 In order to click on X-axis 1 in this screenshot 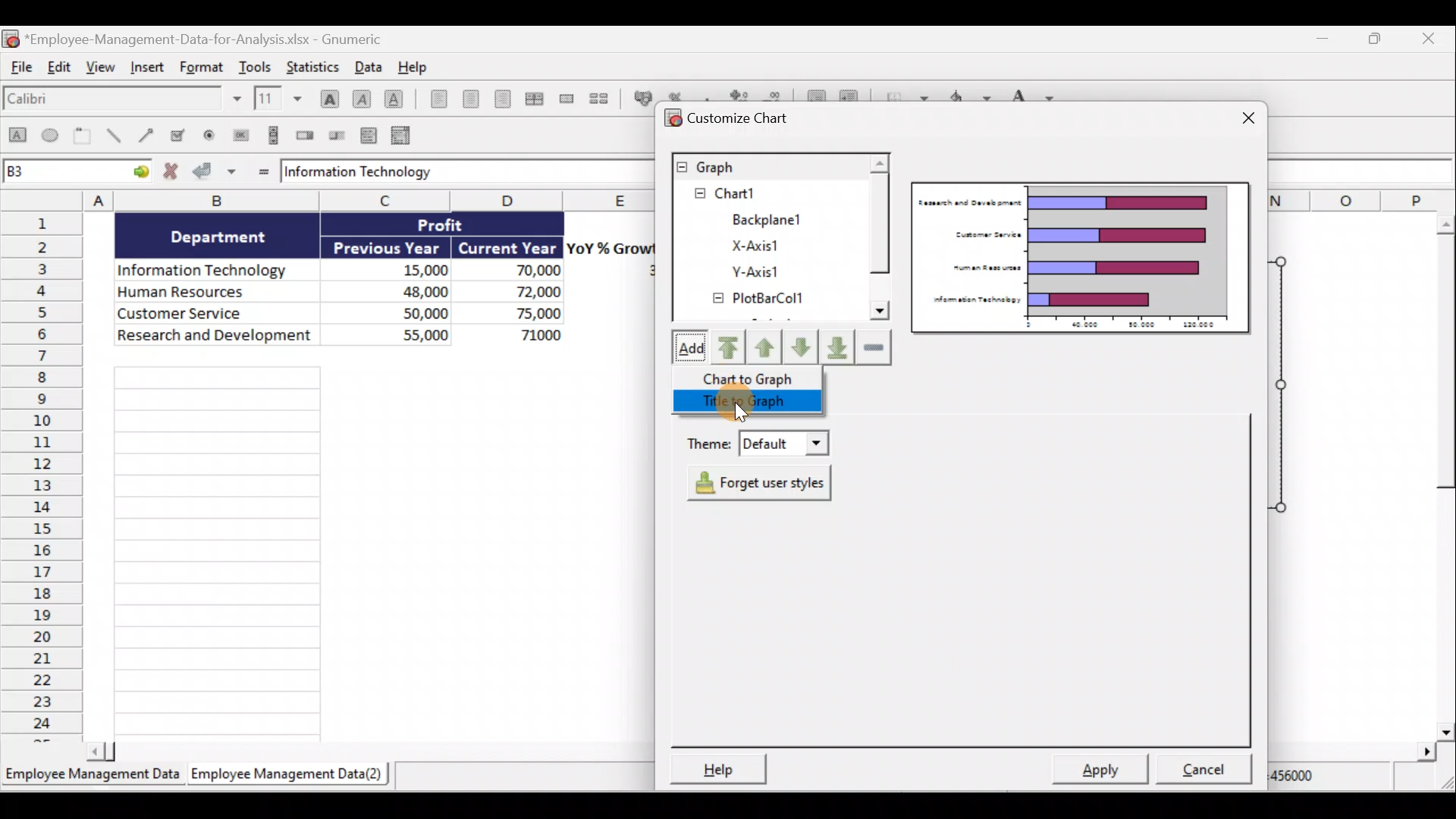, I will do `click(782, 245)`.